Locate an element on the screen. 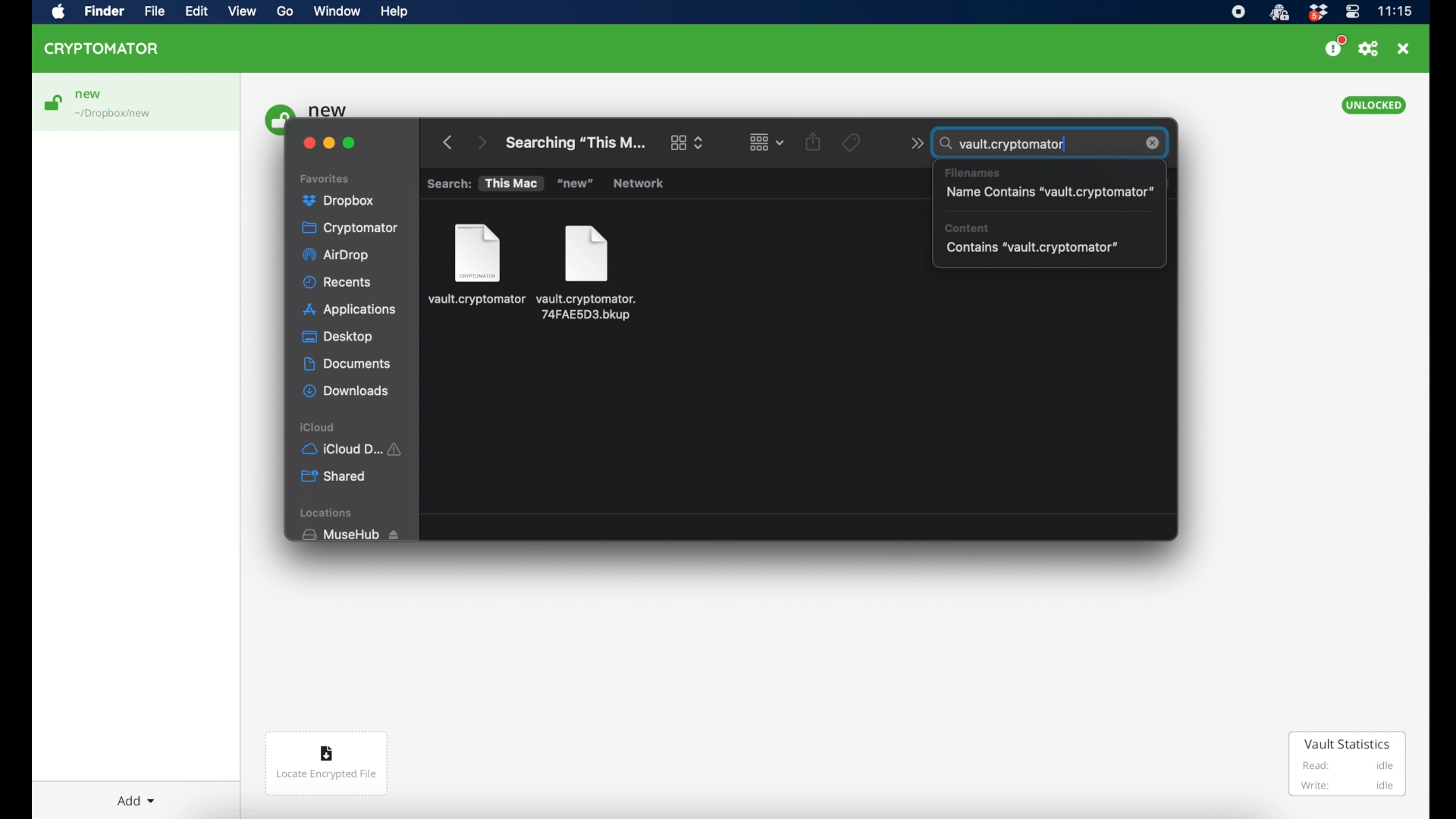 The image size is (1456, 819). search is located at coordinates (448, 184).